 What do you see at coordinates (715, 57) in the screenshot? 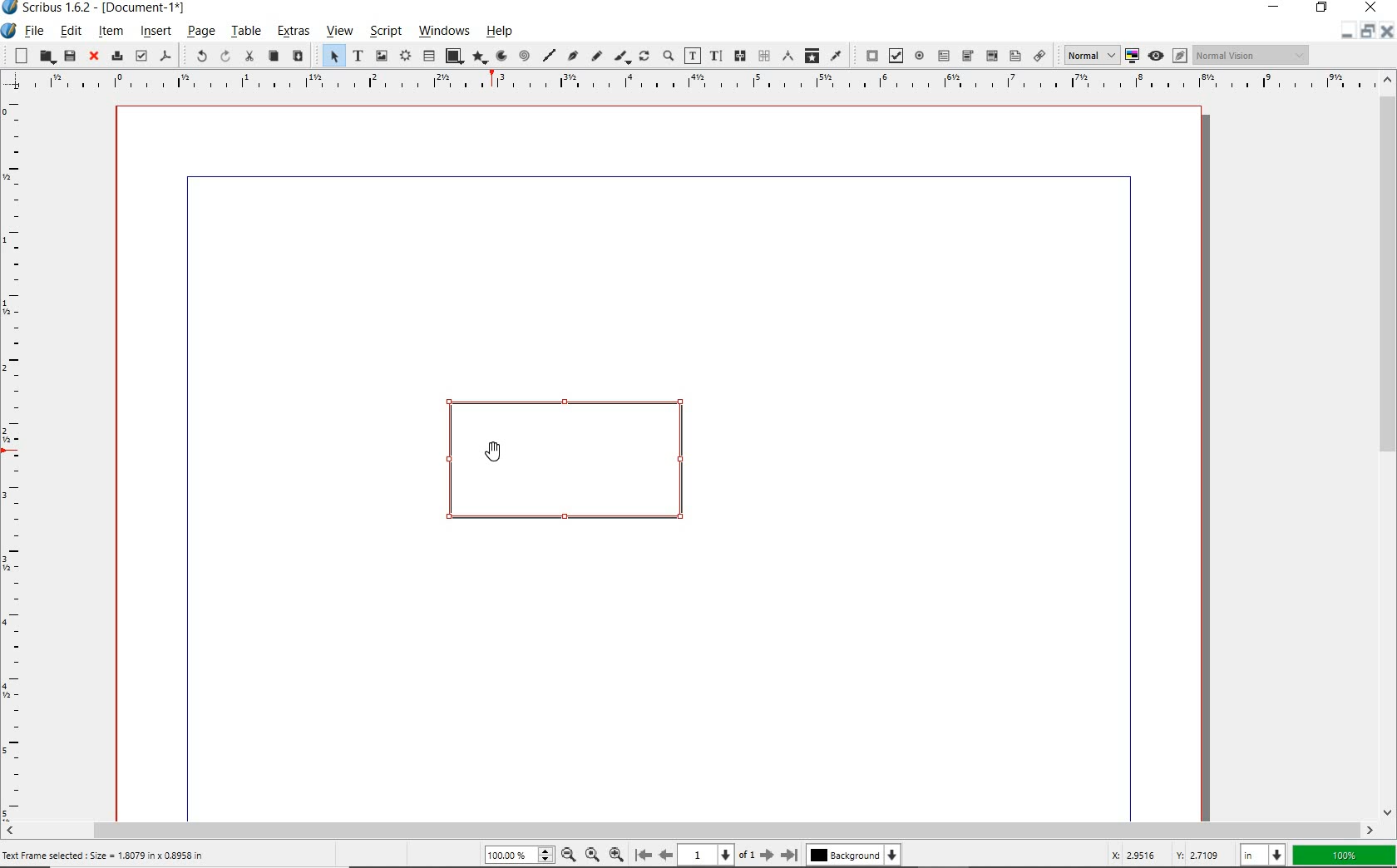
I see `edit text with story editor` at bounding box center [715, 57].